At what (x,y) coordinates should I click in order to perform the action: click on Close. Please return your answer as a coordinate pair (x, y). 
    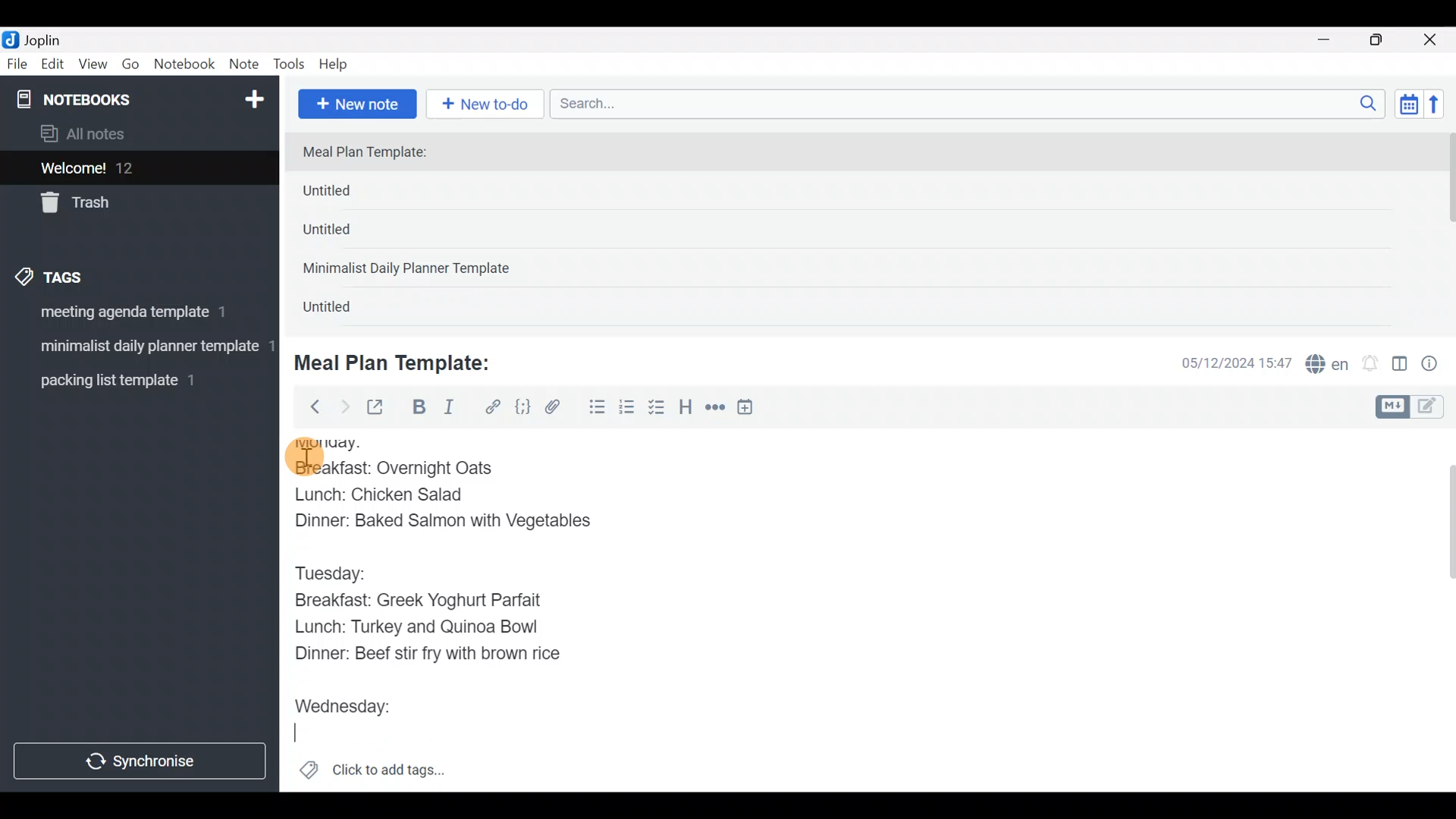
    Looking at the image, I should click on (1432, 41).